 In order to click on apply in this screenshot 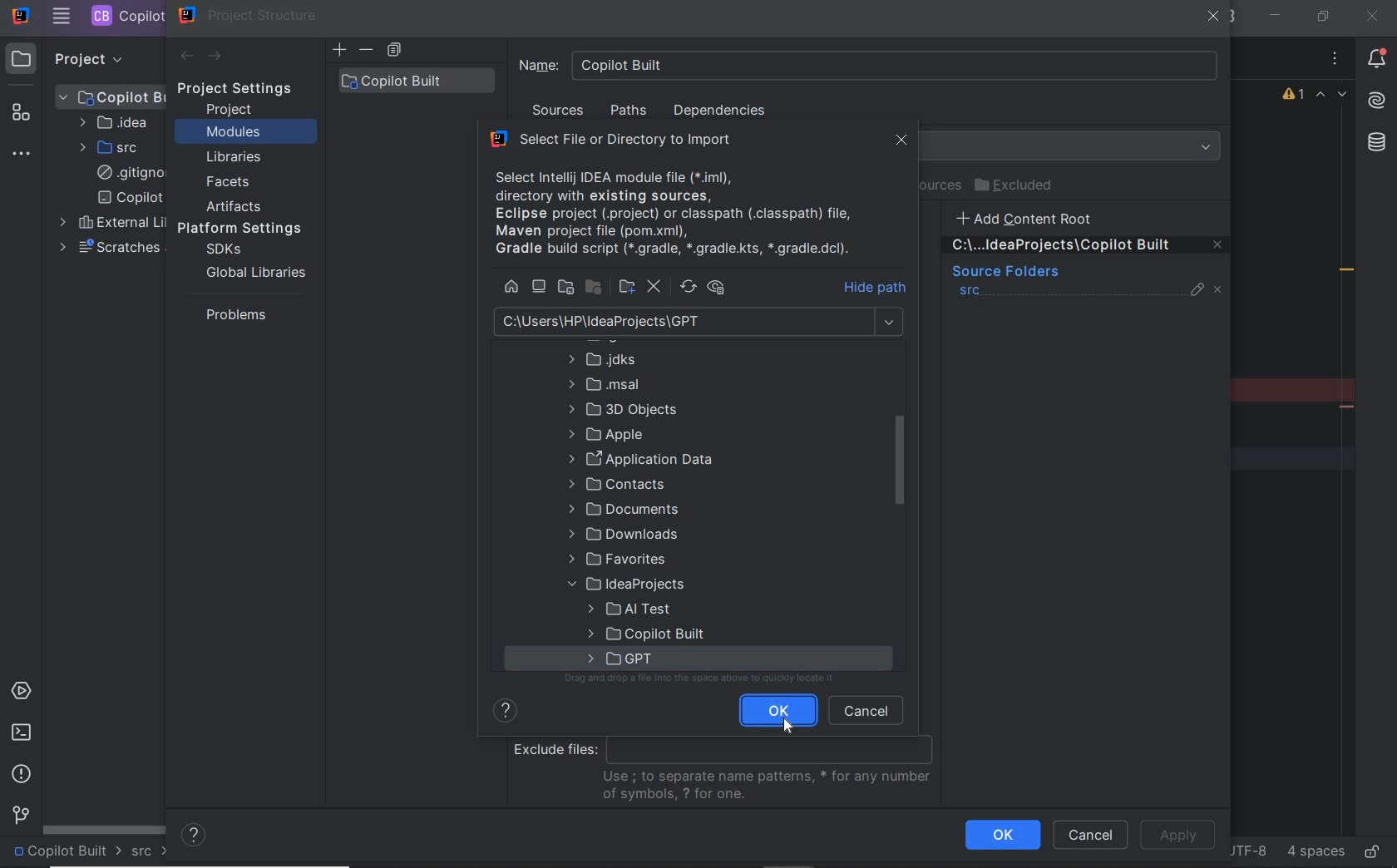, I will do `click(1177, 836)`.